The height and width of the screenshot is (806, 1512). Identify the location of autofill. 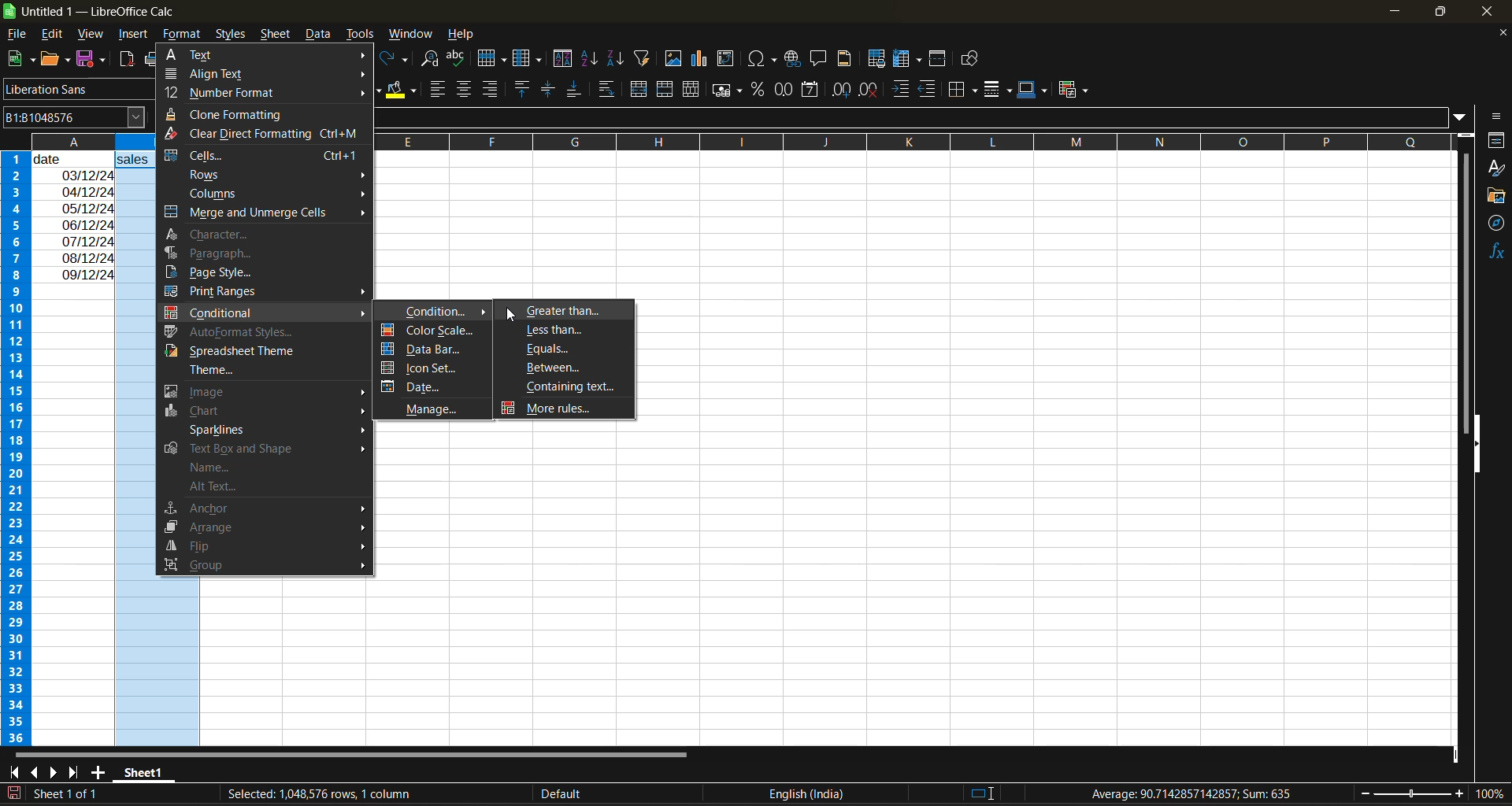
(647, 58).